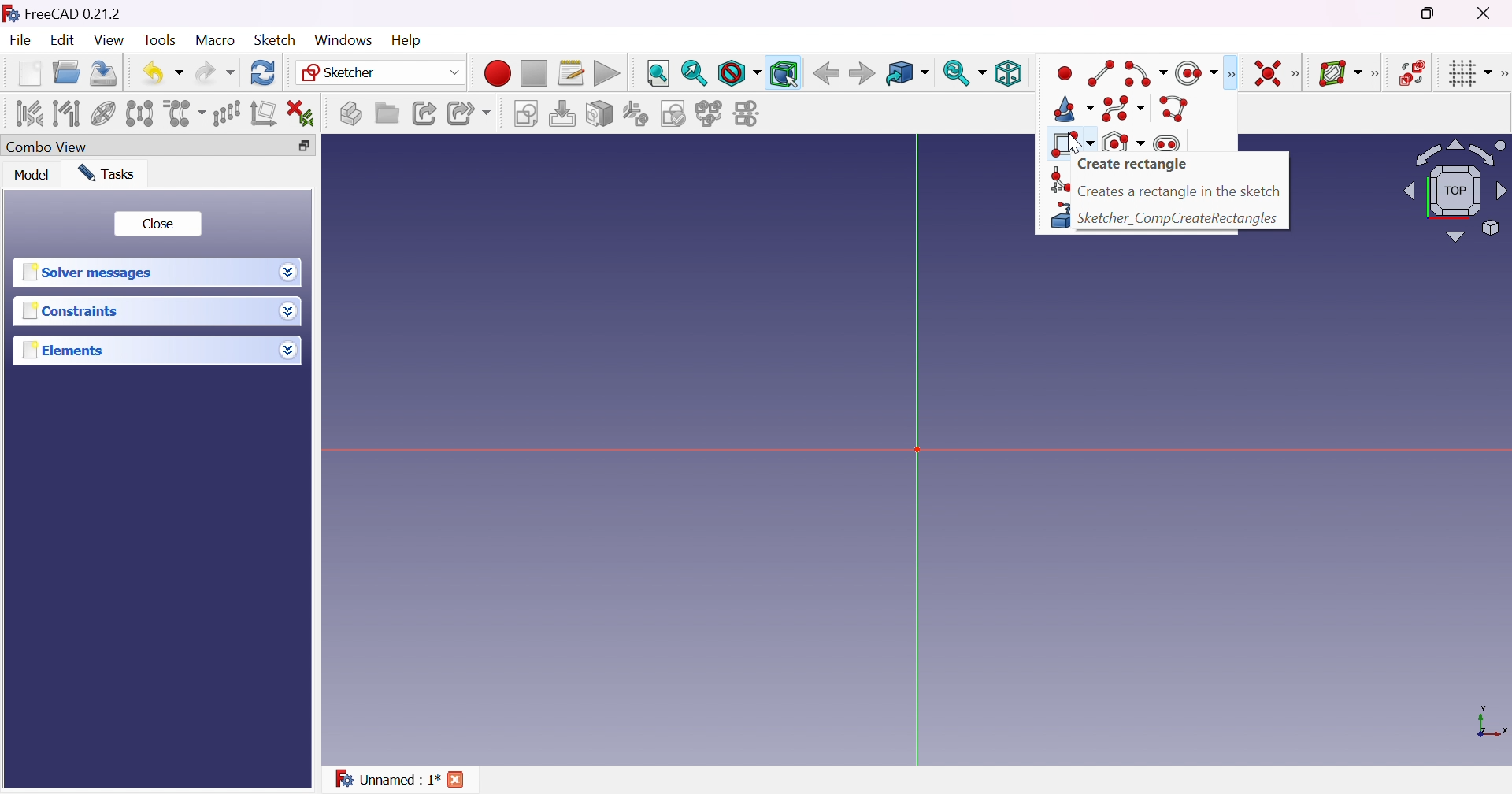  Describe the element at coordinates (673, 114) in the screenshot. I see `Validate sketch...` at that location.